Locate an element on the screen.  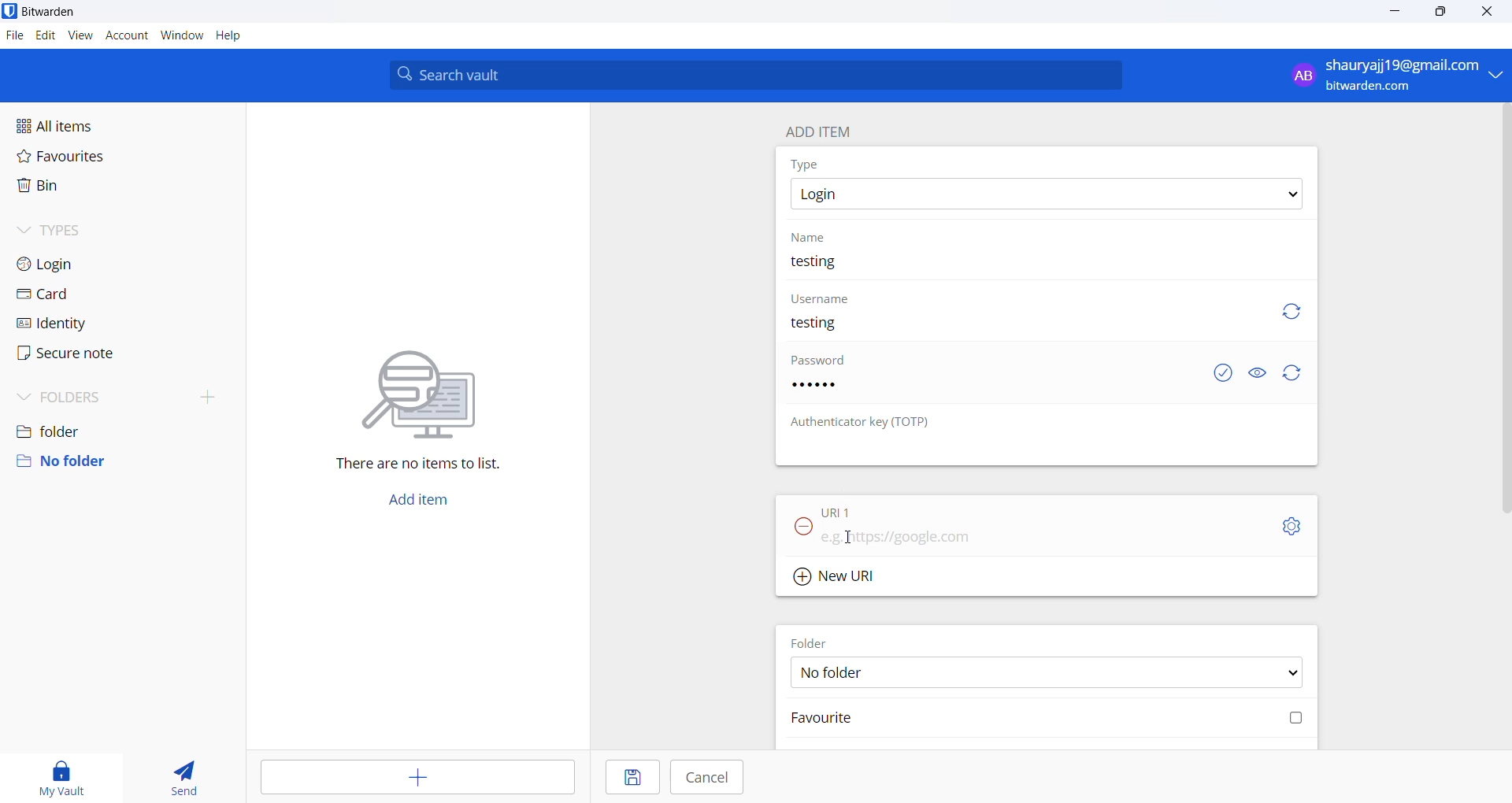
add button is located at coordinates (417, 502).